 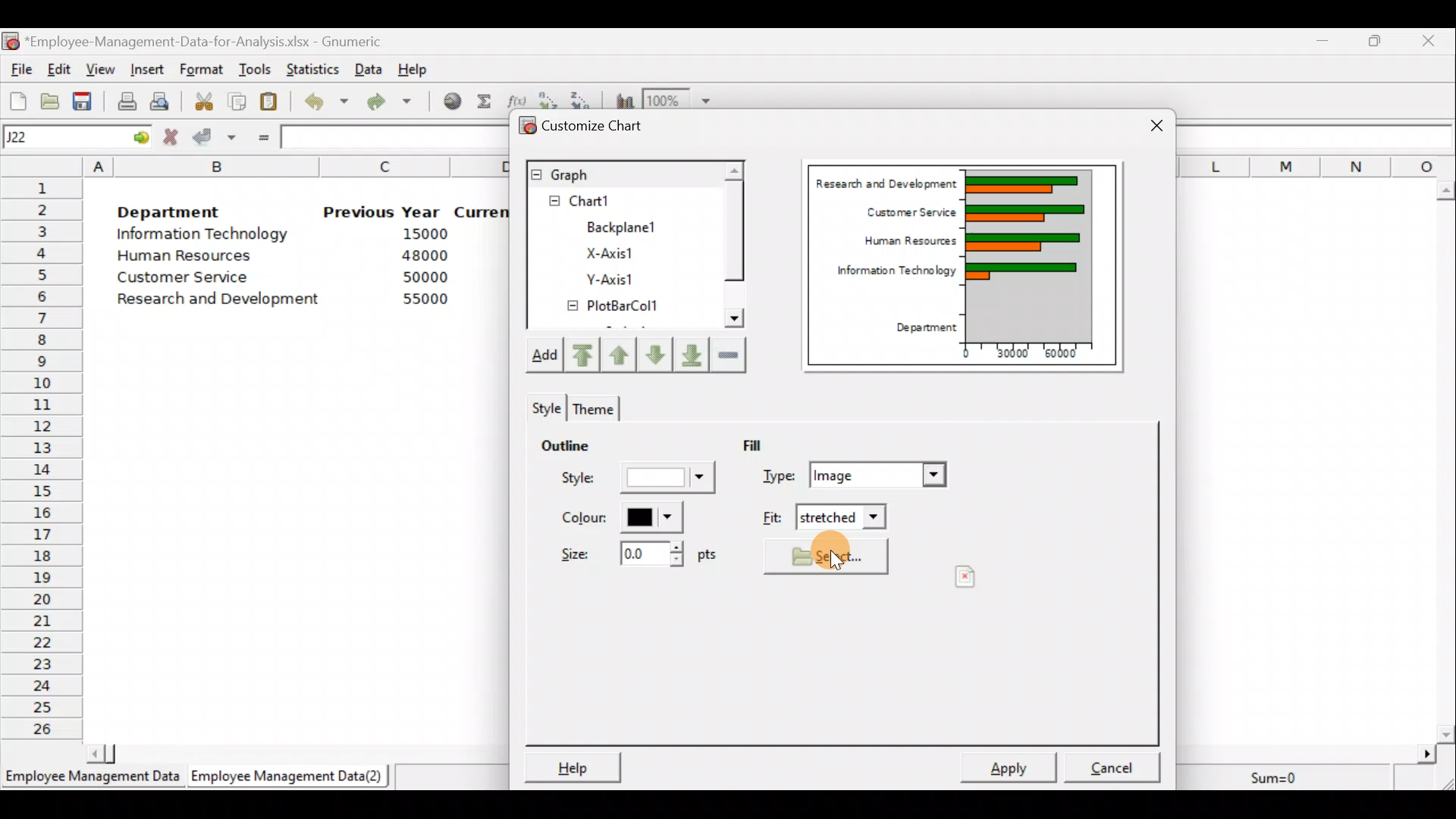 I want to click on Style, so click(x=544, y=406).